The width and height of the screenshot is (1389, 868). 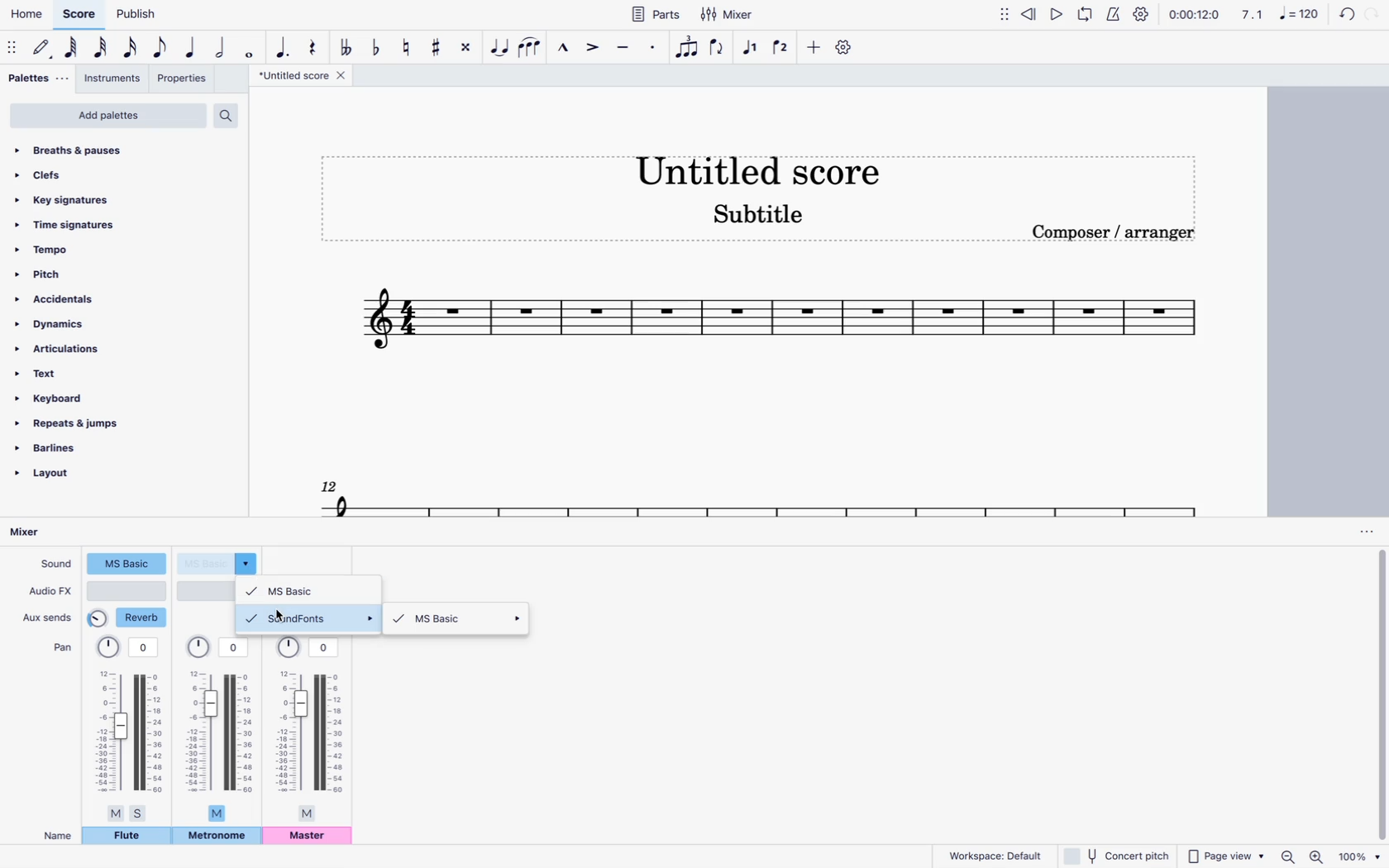 I want to click on add palettes, so click(x=107, y=116).